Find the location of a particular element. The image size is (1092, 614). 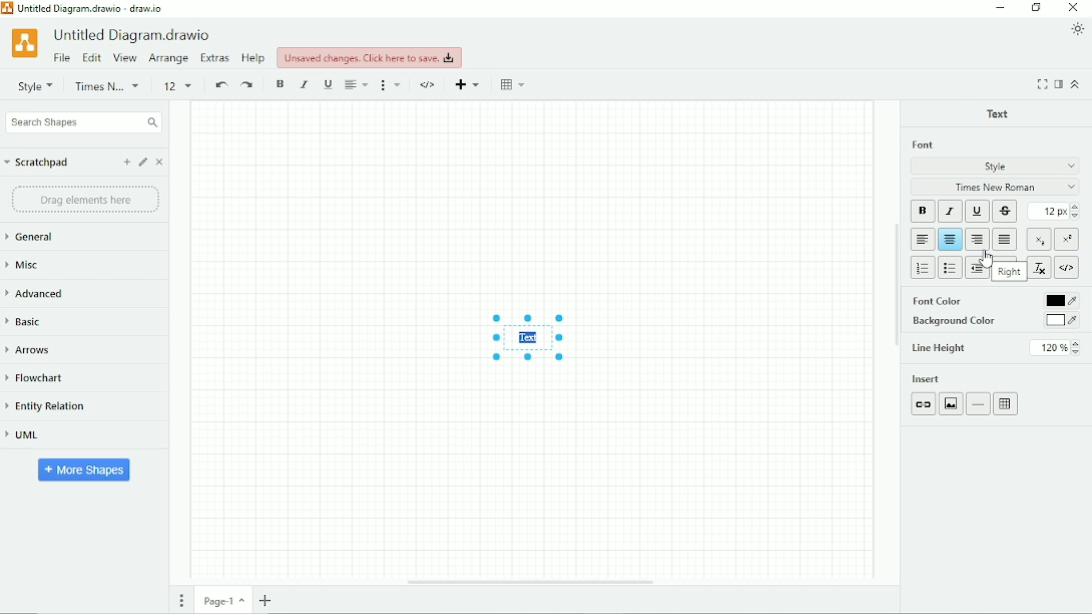

Cursor Position is located at coordinates (988, 260).